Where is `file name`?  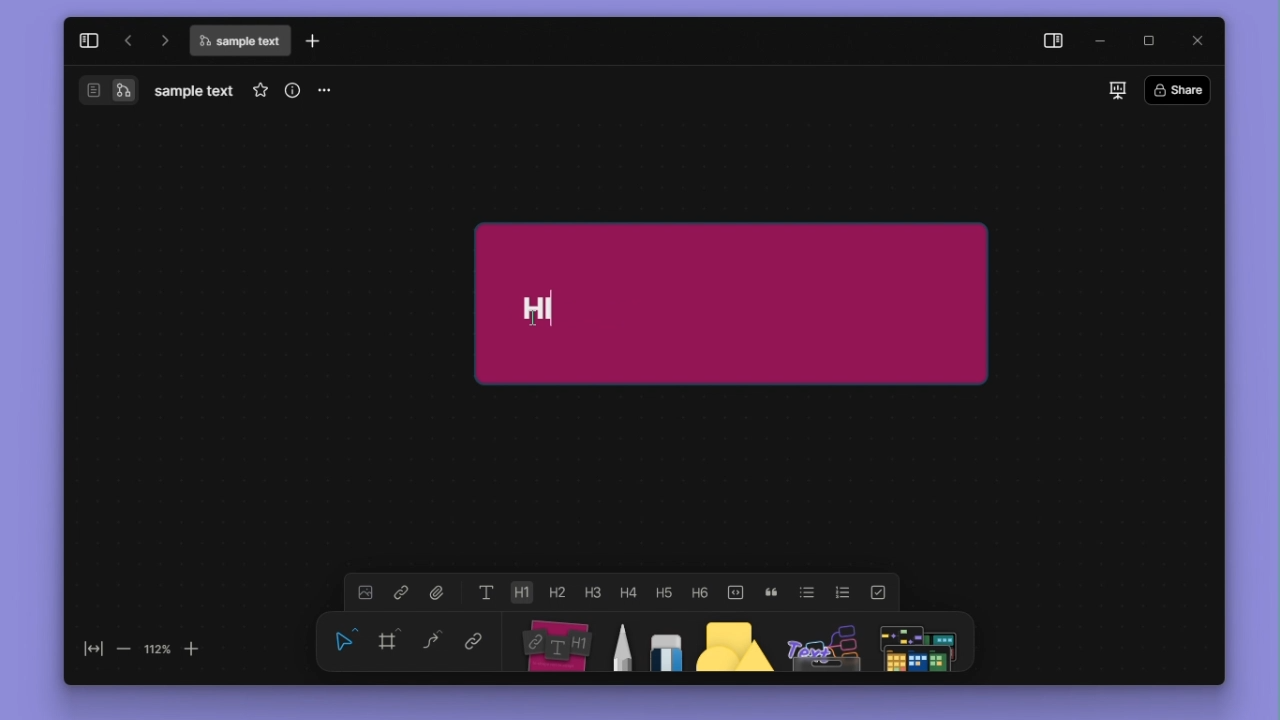
file name is located at coordinates (239, 41).